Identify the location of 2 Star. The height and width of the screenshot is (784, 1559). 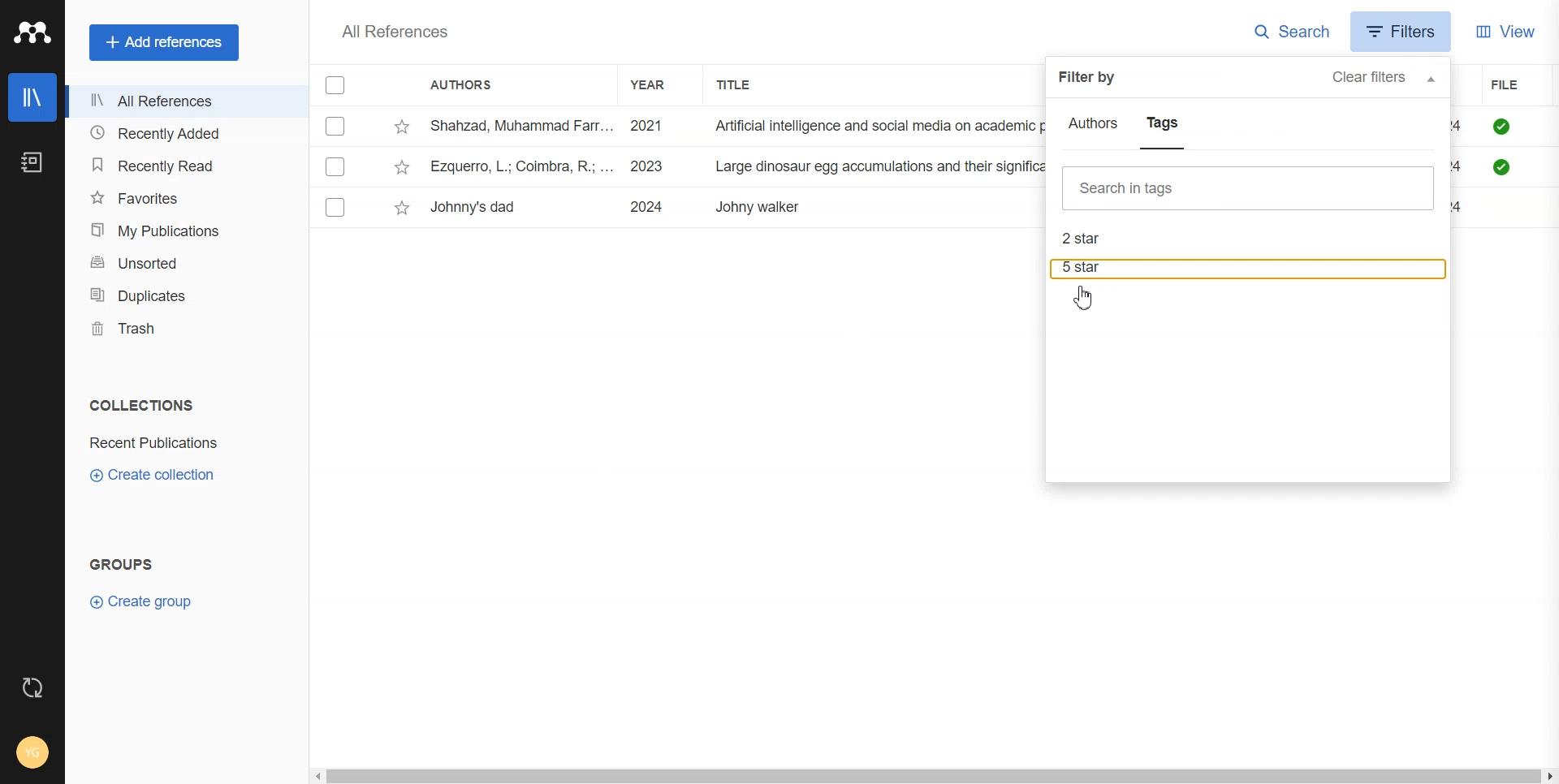
(1250, 239).